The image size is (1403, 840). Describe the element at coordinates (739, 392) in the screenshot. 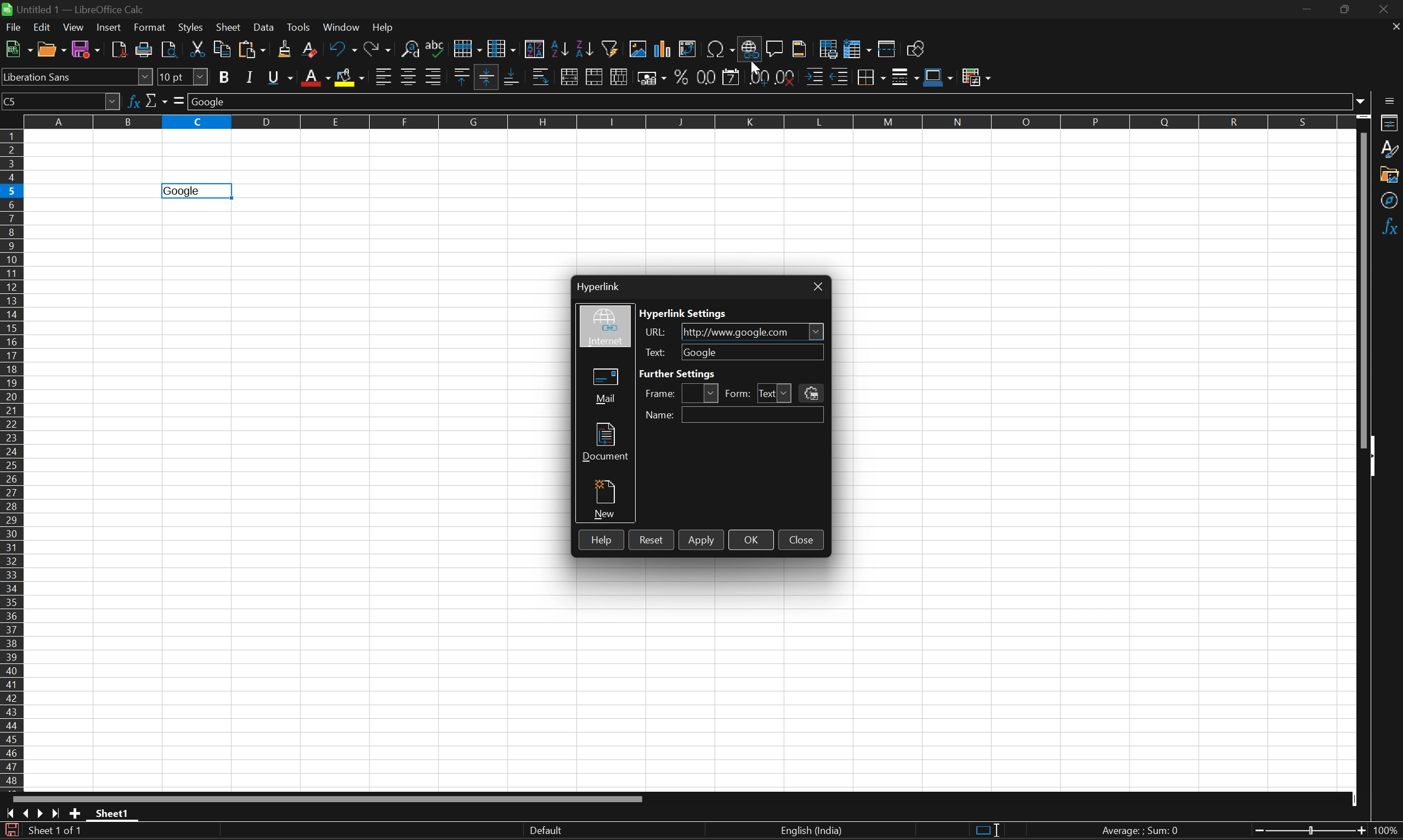

I see `Form:` at that location.